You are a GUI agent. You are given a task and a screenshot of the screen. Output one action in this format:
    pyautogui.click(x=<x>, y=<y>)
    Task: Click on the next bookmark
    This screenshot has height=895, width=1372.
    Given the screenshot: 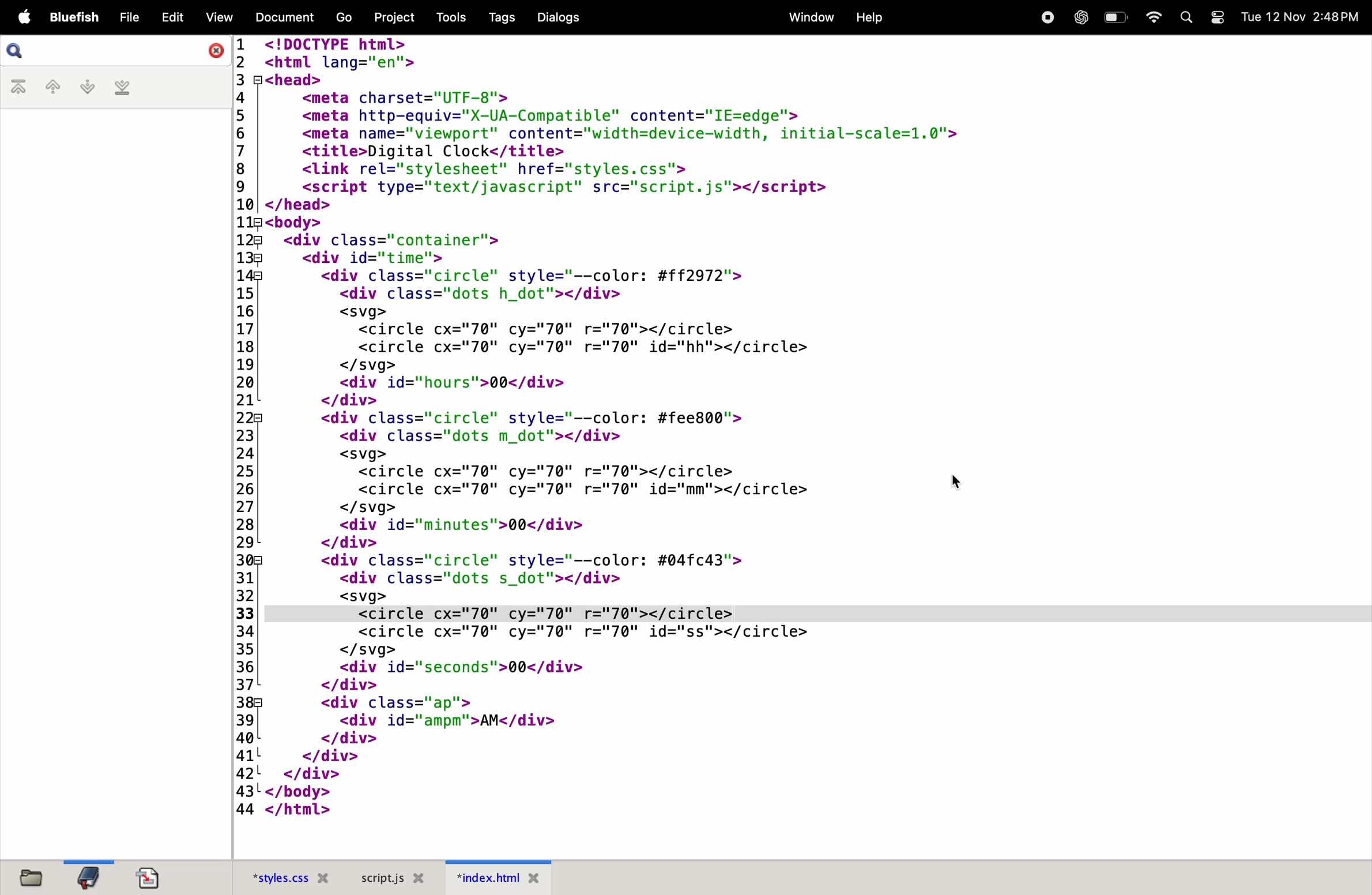 What is the action you would take?
    pyautogui.click(x=89, y=87)
    